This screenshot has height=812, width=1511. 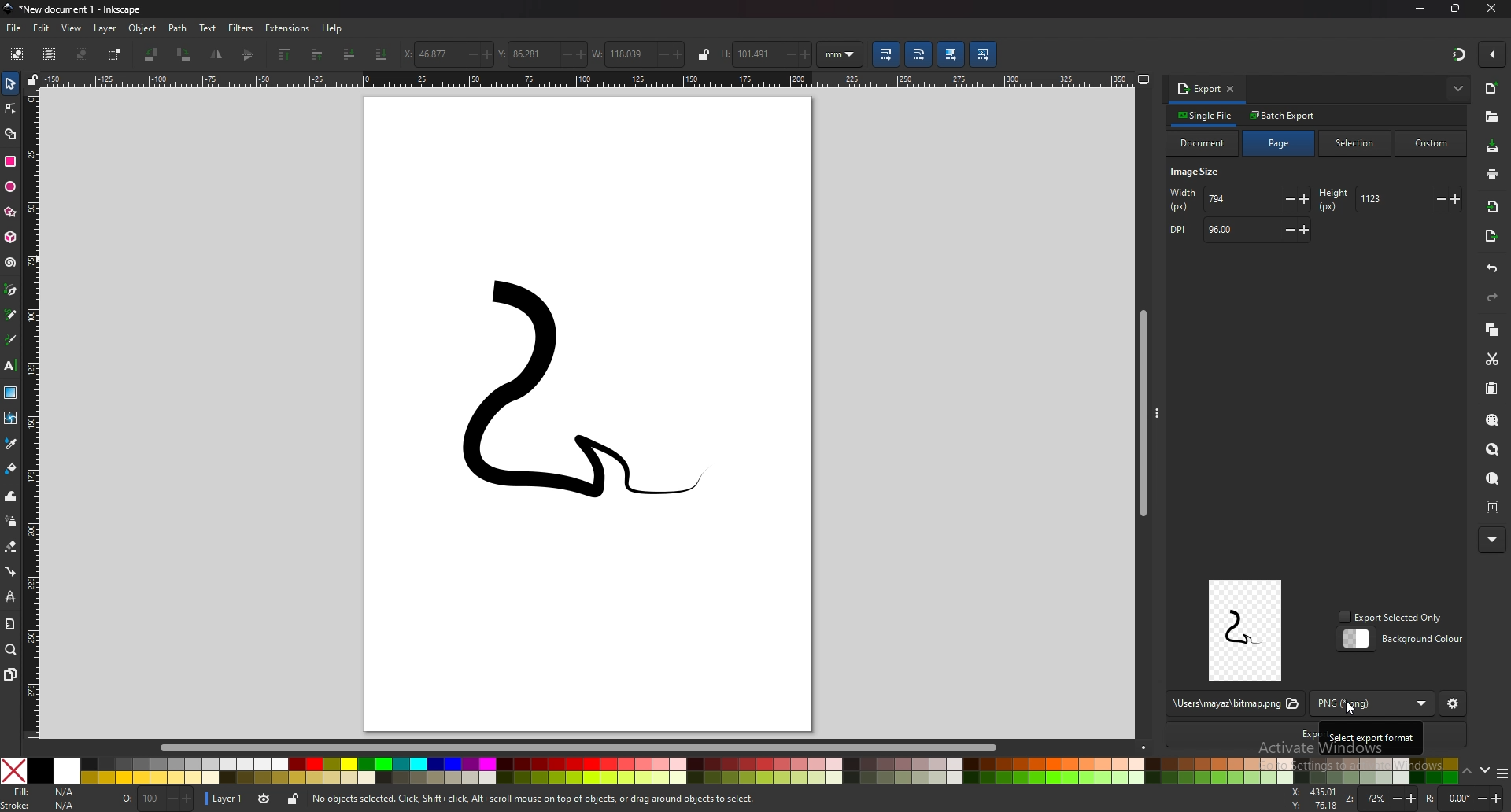 What do you see at coordinates (10, 133) in the screenshot?
I see `shape builder` at bounding box center [10, 133].